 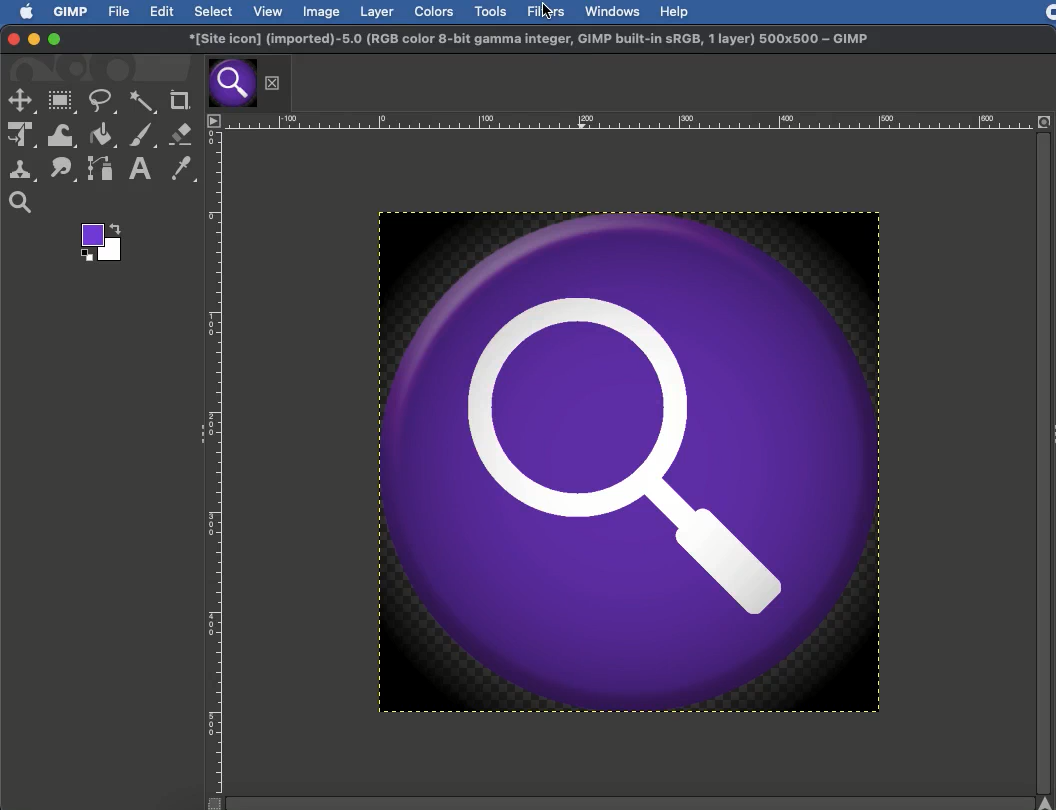 I want to click on Path, so click(x=99, y=168).